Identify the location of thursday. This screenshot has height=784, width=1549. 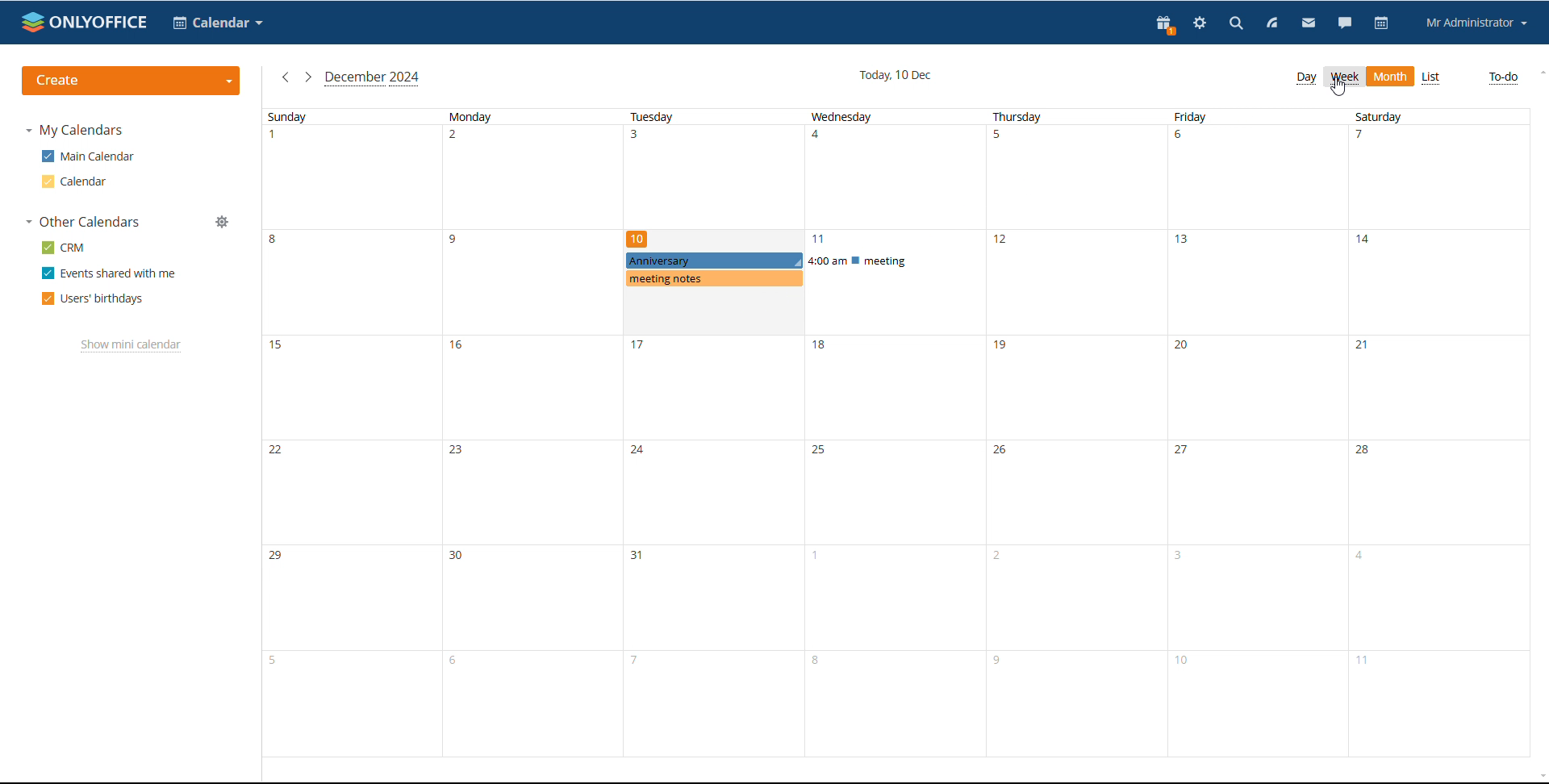
(1079, 433).